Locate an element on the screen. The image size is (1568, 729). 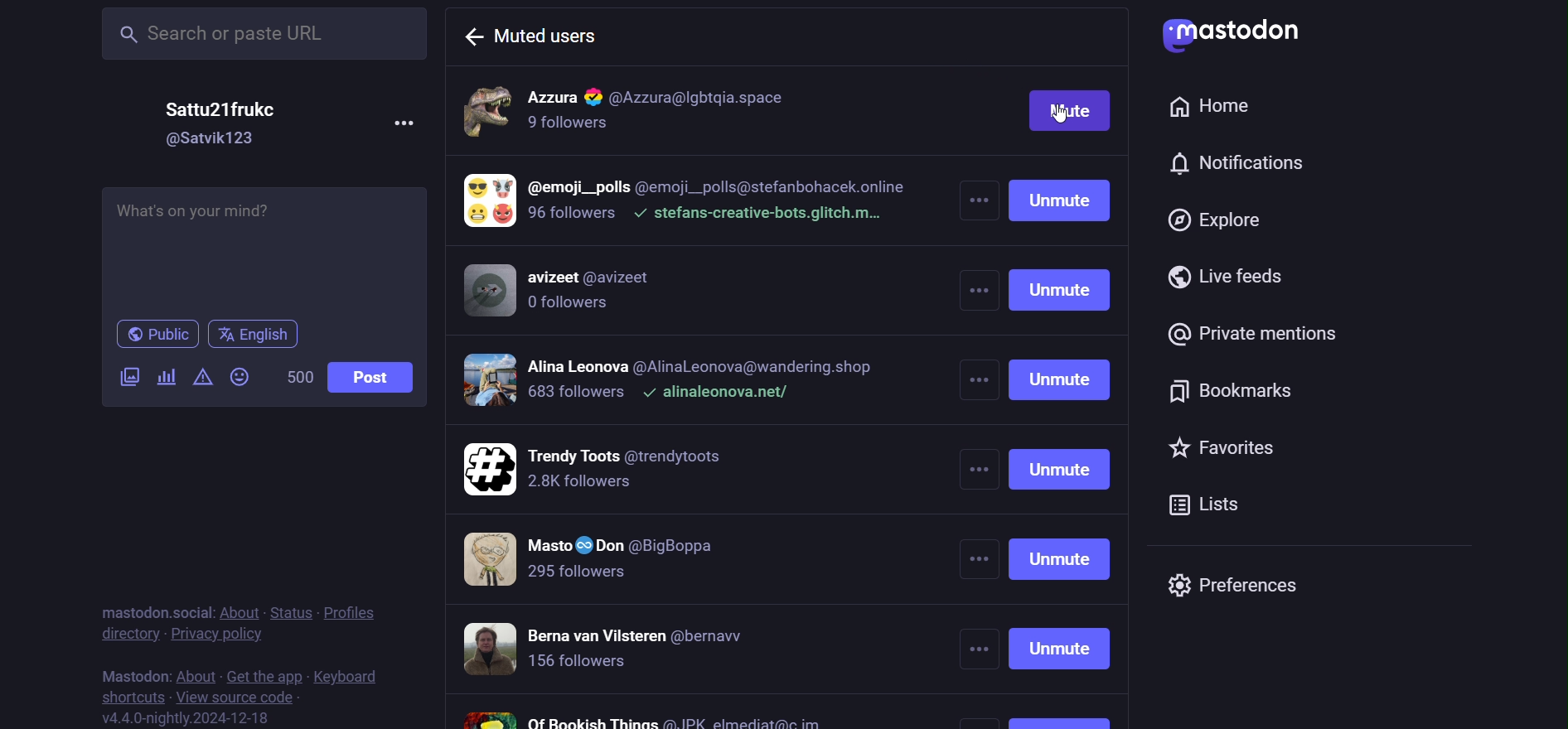
emoji is located at coordinates (239, 376).